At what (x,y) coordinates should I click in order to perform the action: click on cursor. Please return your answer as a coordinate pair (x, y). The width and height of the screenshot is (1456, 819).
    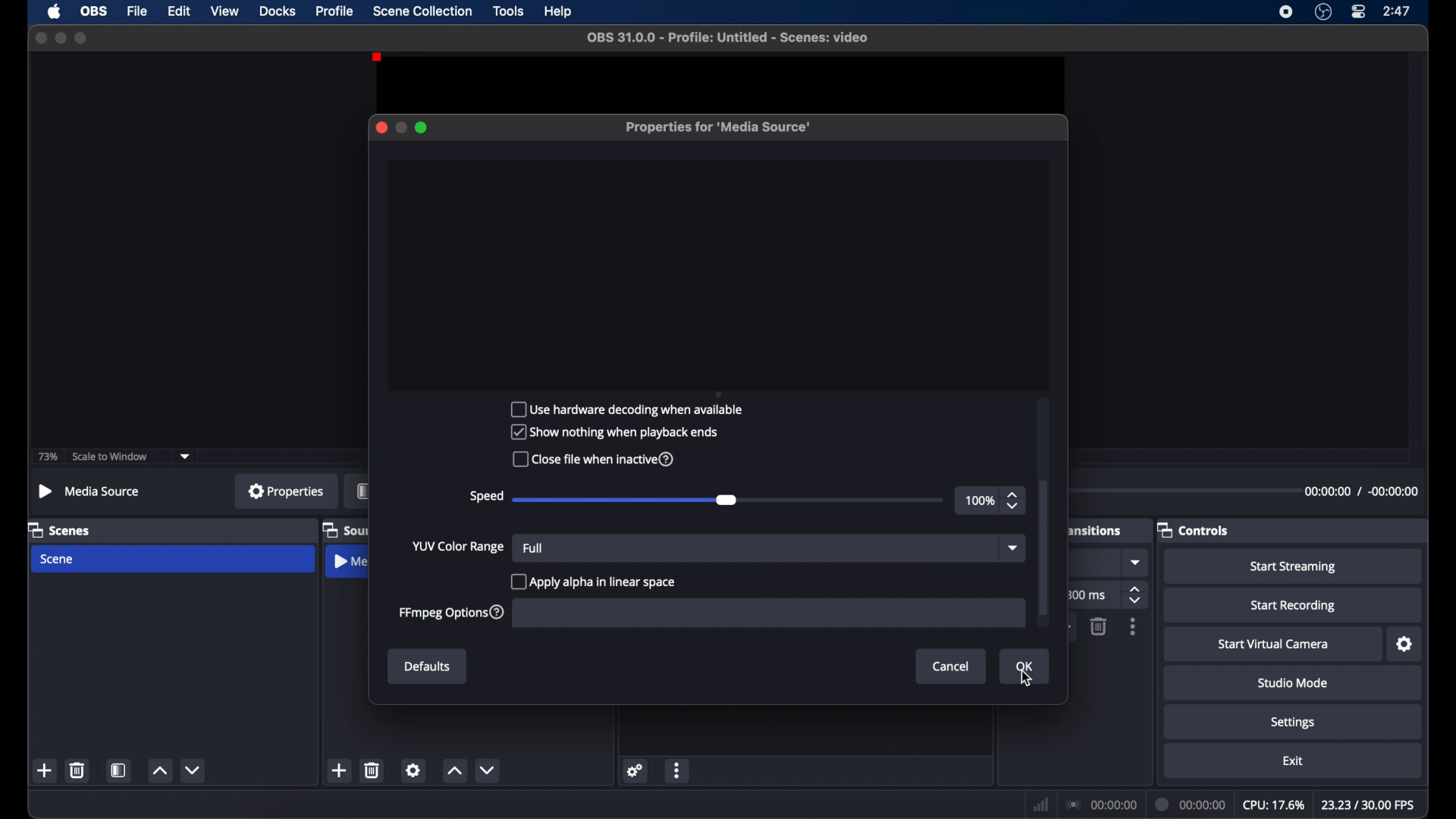
    Looking at the image, I should click on (1028, 678).